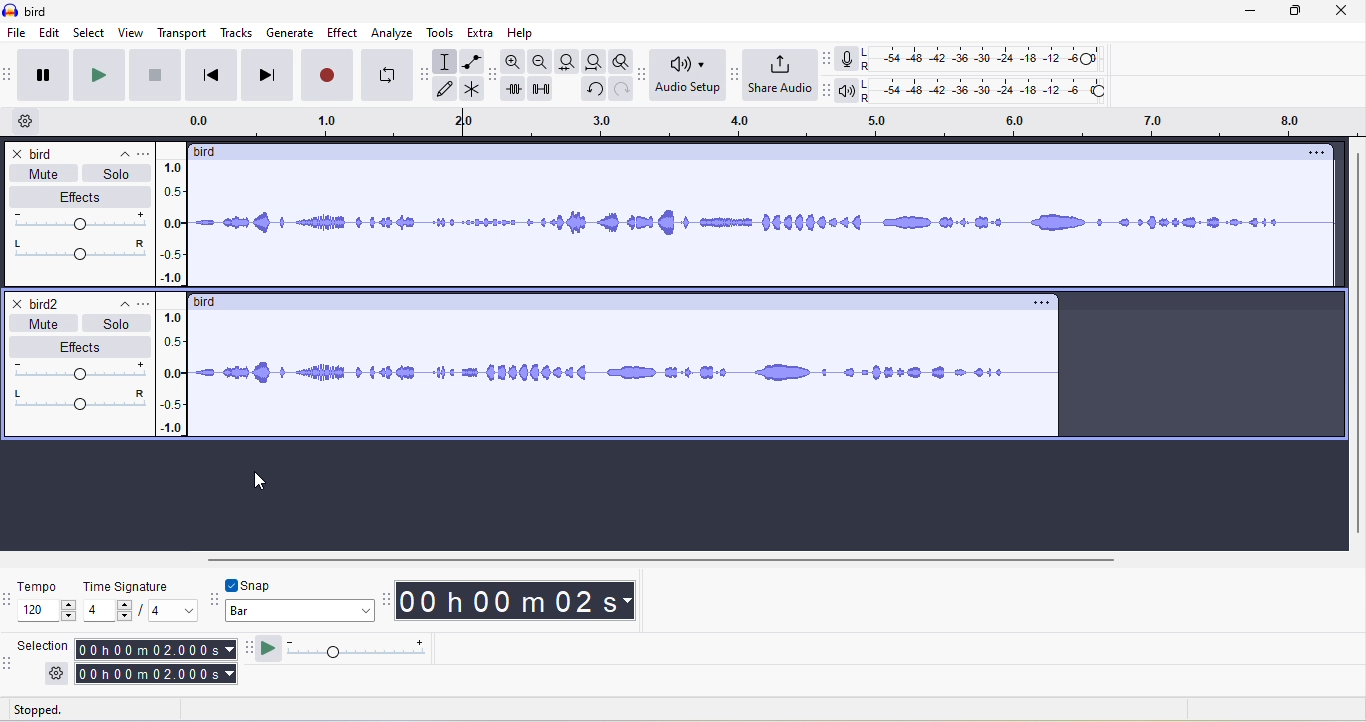 This screenshot has width=1366, height=722. I want to click on audacity snapping toolbar, so click(213, 602).